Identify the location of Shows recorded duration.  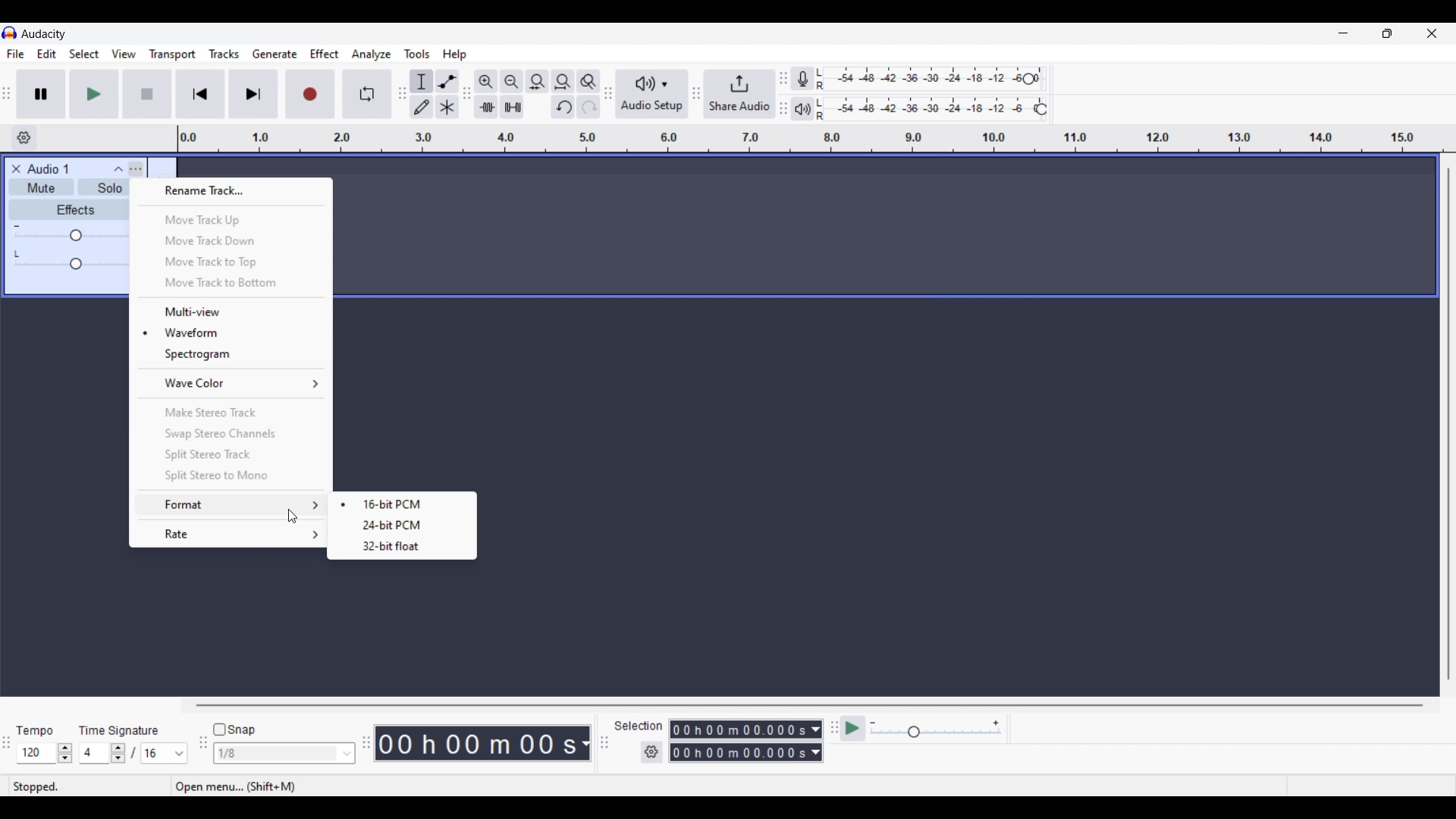
(476, 743).